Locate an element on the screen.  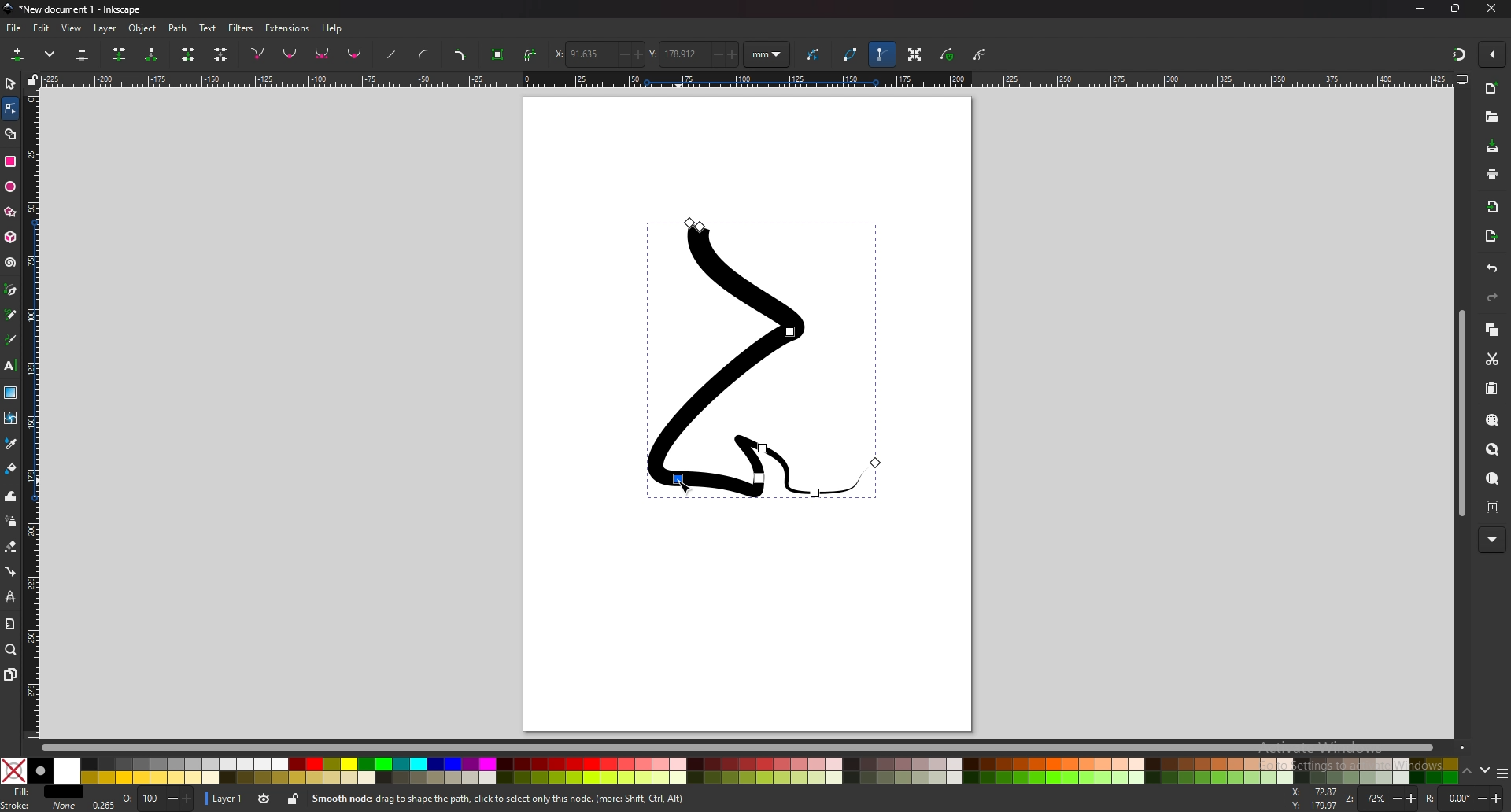
corner is located at coordinates (258, 54).